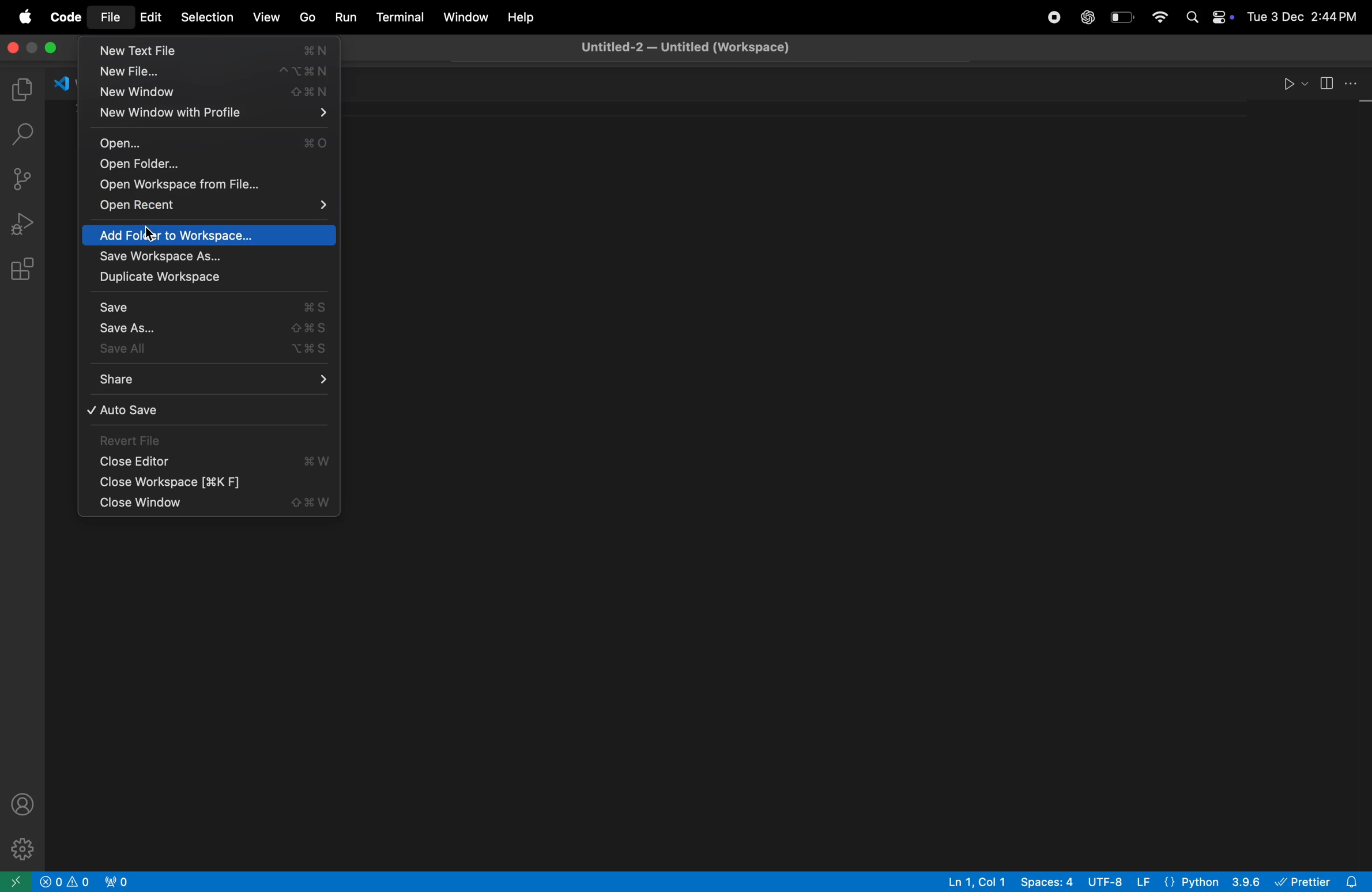 The width and height of the screenshot is (1372, 892). Describe the element at coordinates (14, 882) in the screenshot. I see `open window` at that location.